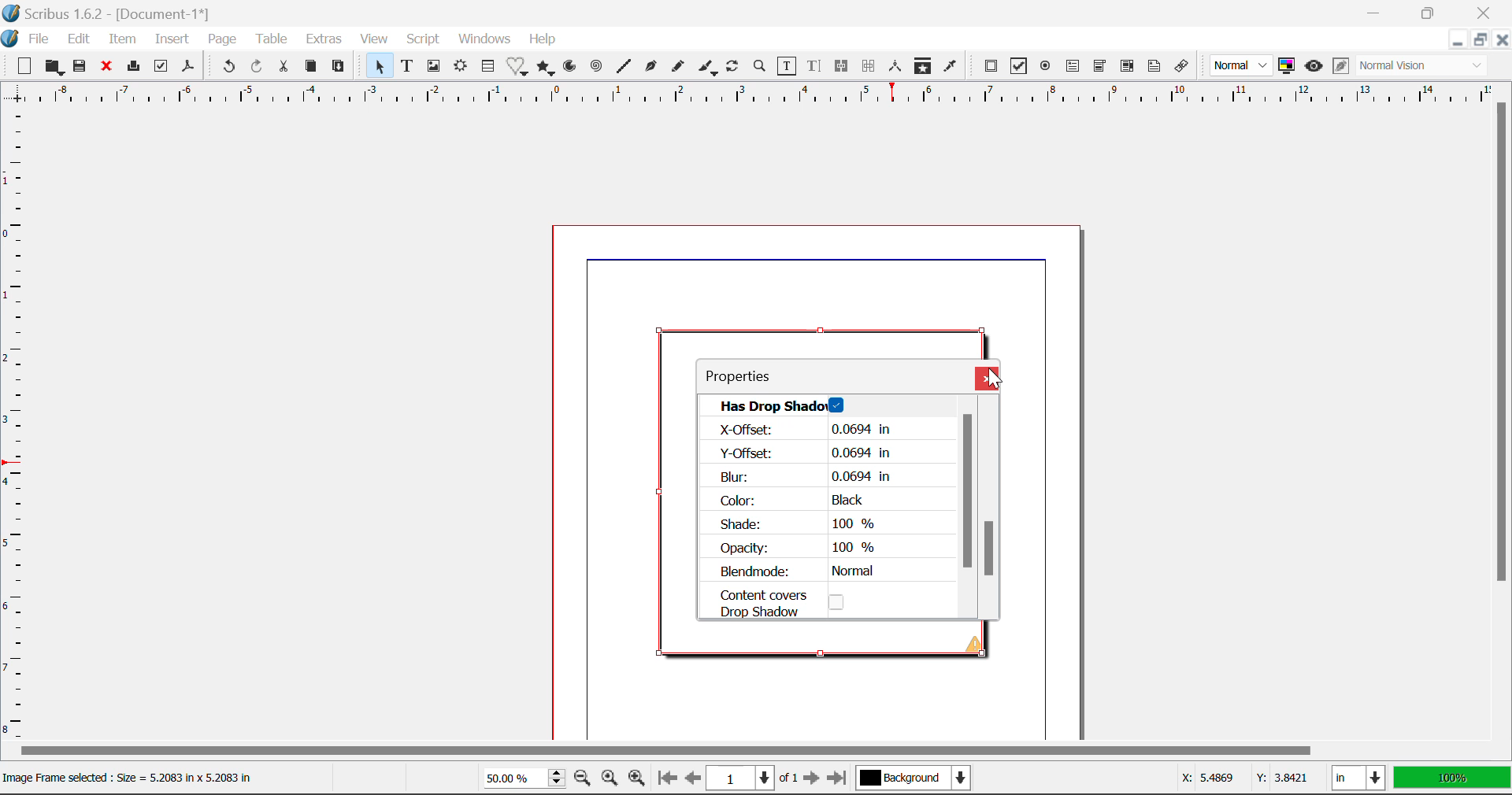  What do you see at coordinates (806, 453) in the screenshot?
I see `Y-Offset: 0.0694 in` at bounding box center [806, 453].